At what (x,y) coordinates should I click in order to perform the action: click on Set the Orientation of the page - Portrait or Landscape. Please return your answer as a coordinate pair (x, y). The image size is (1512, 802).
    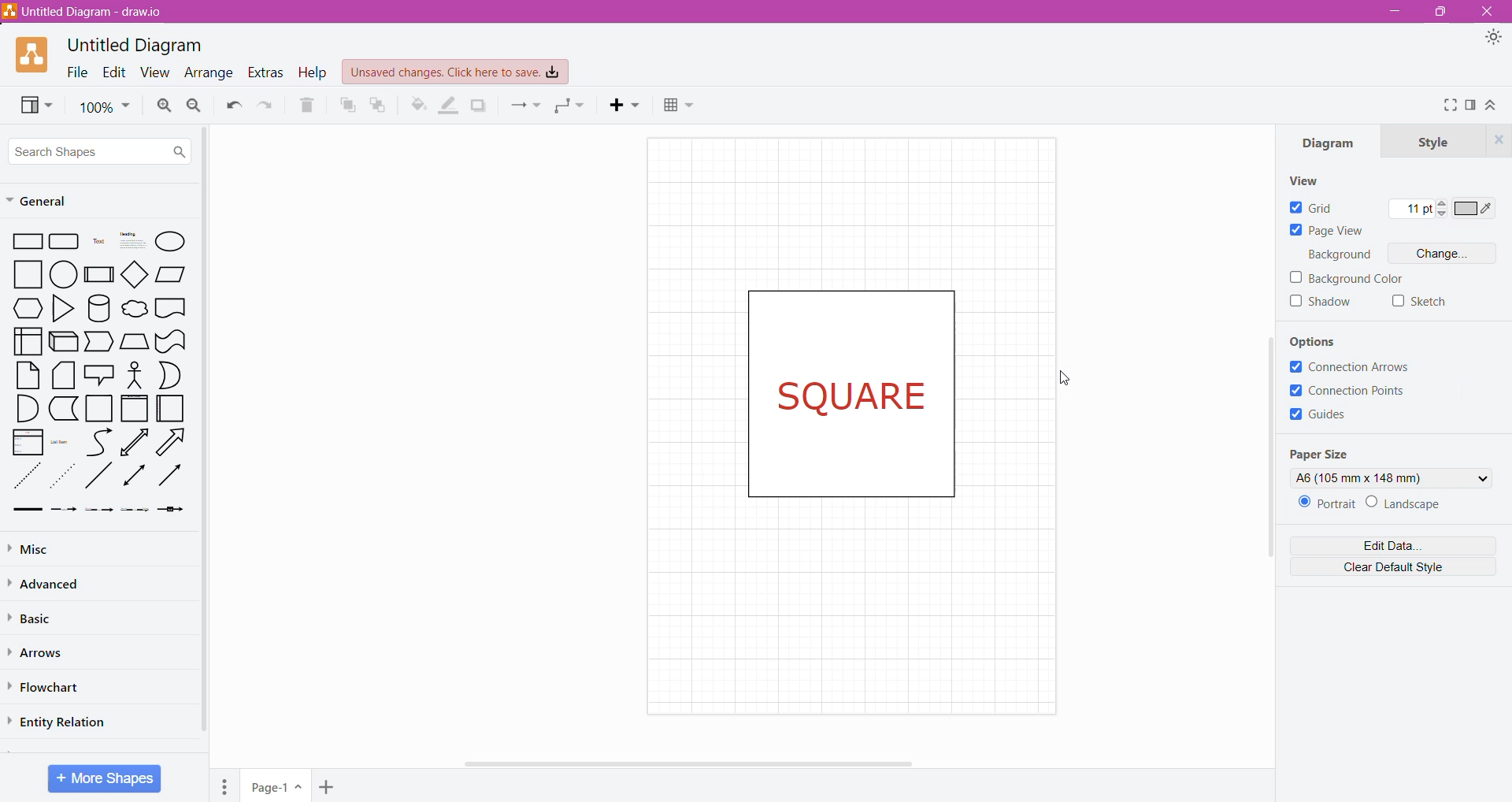
    Looking at the image, I should click on (1374, 504).